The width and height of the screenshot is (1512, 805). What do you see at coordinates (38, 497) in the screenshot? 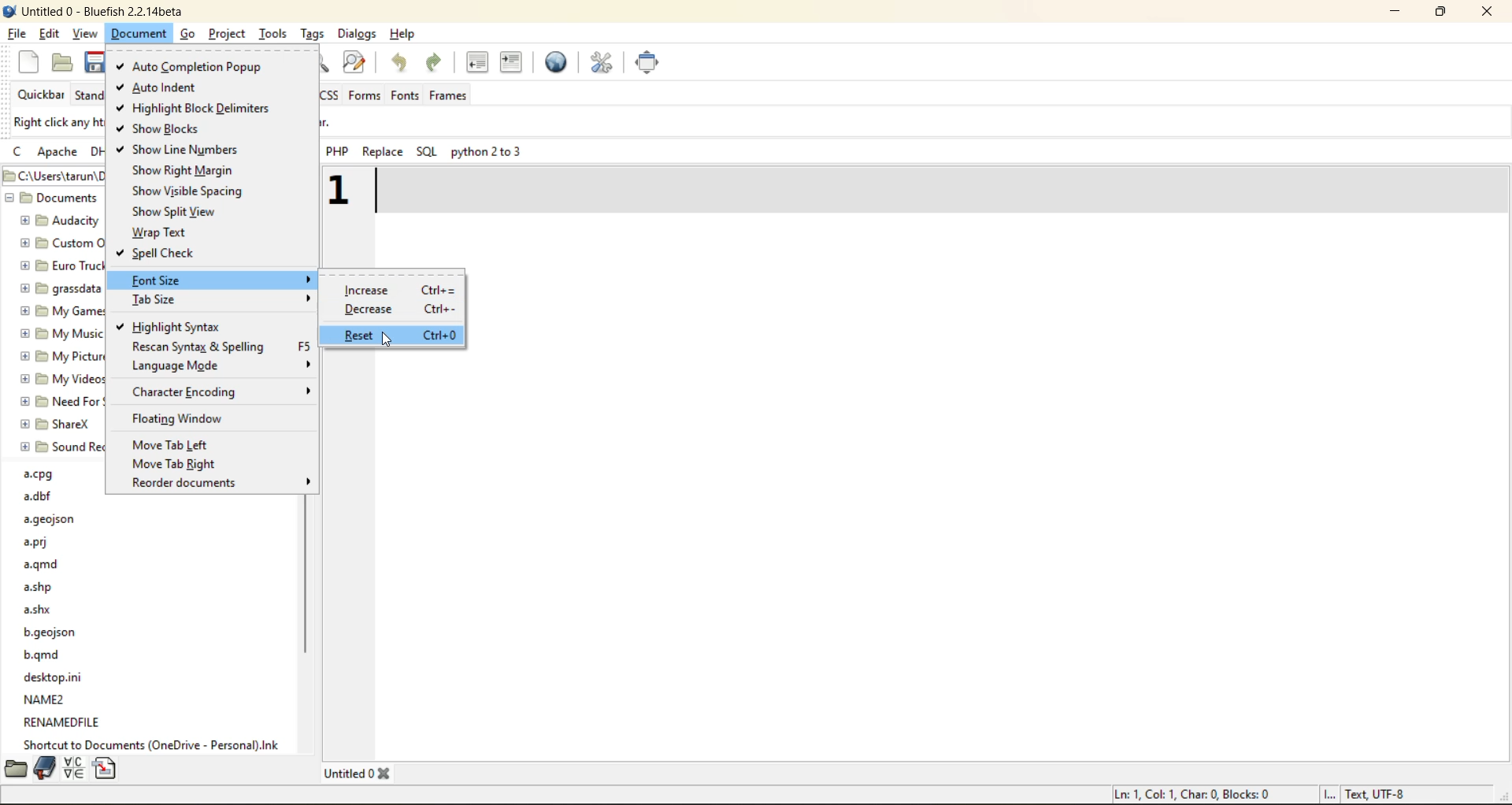
I see `a.dbf` at bounding box center [38, 497].